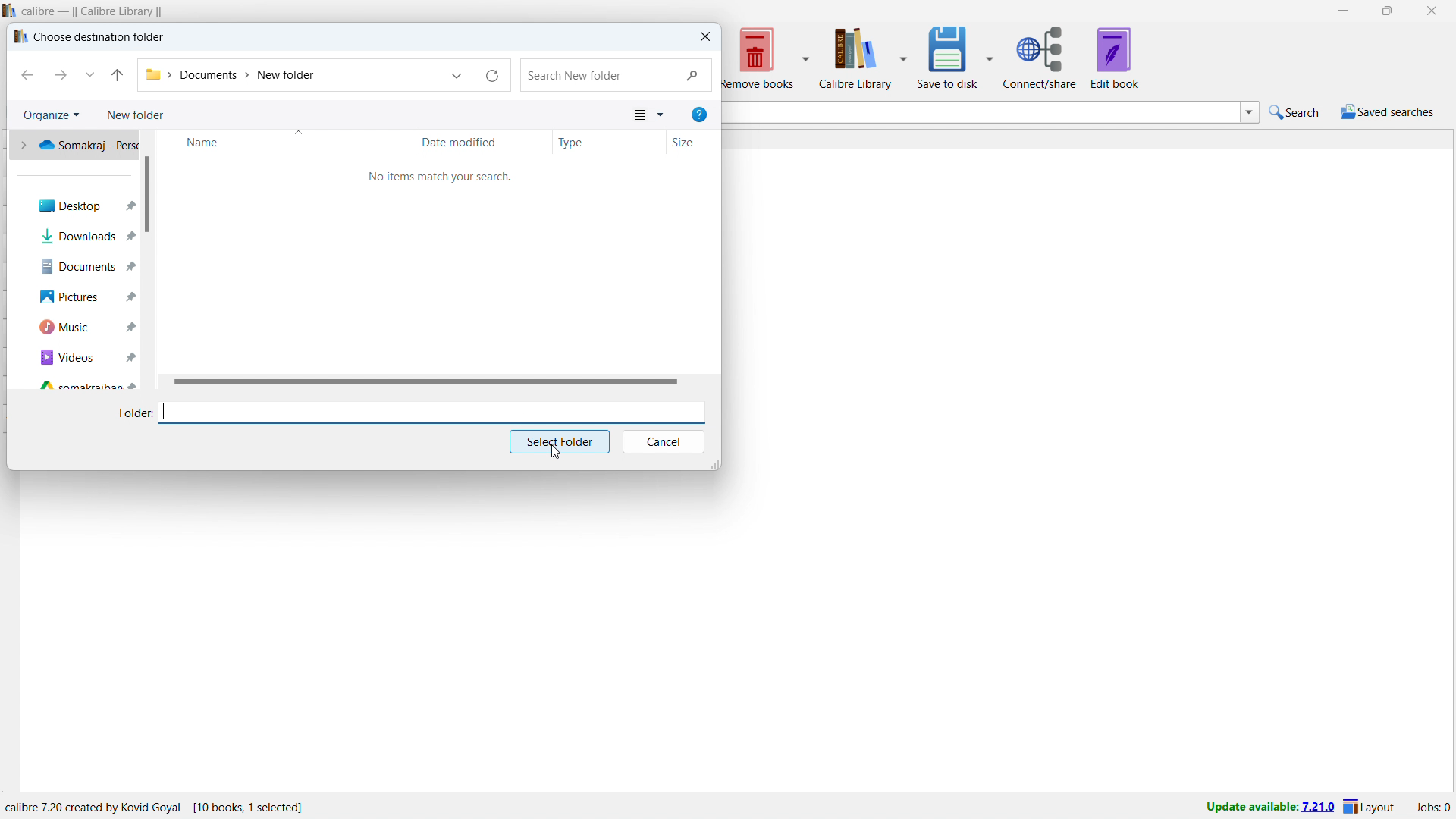  Describe the element at coordinates (484, 142) in the screenshot. I see `sort by date modified` at that location.